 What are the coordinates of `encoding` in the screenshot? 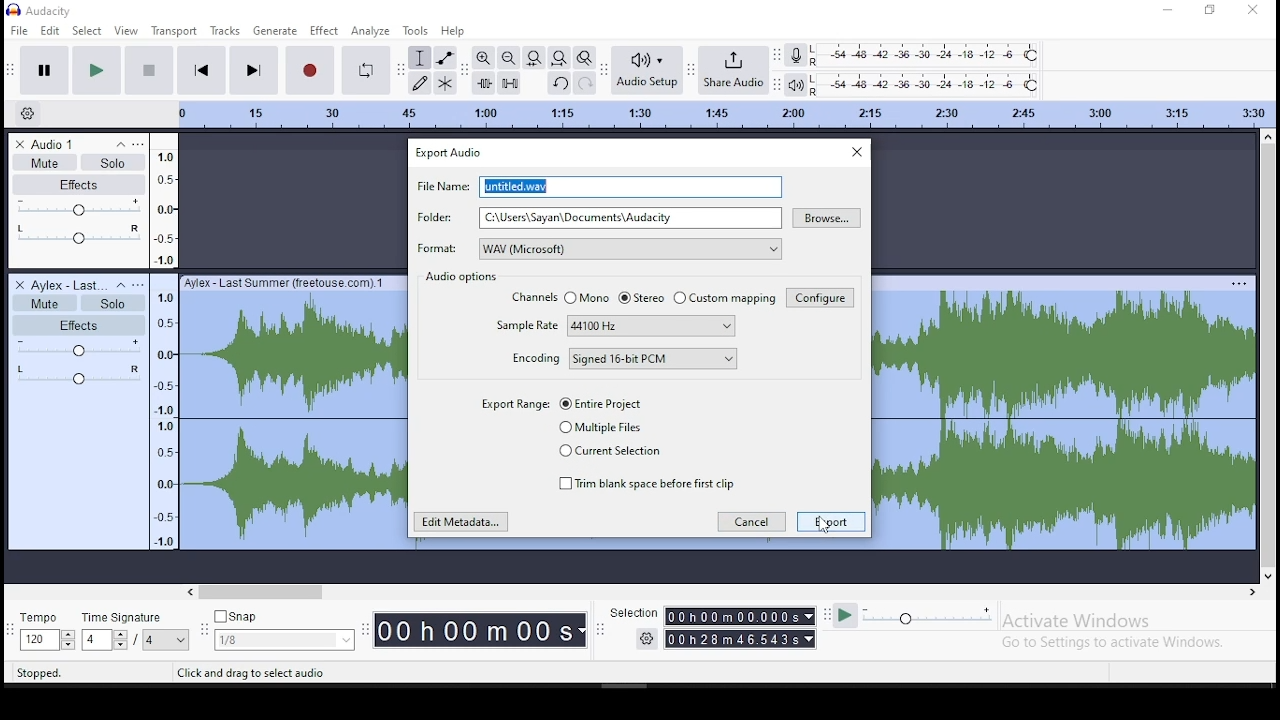 It's located at (619, 359).